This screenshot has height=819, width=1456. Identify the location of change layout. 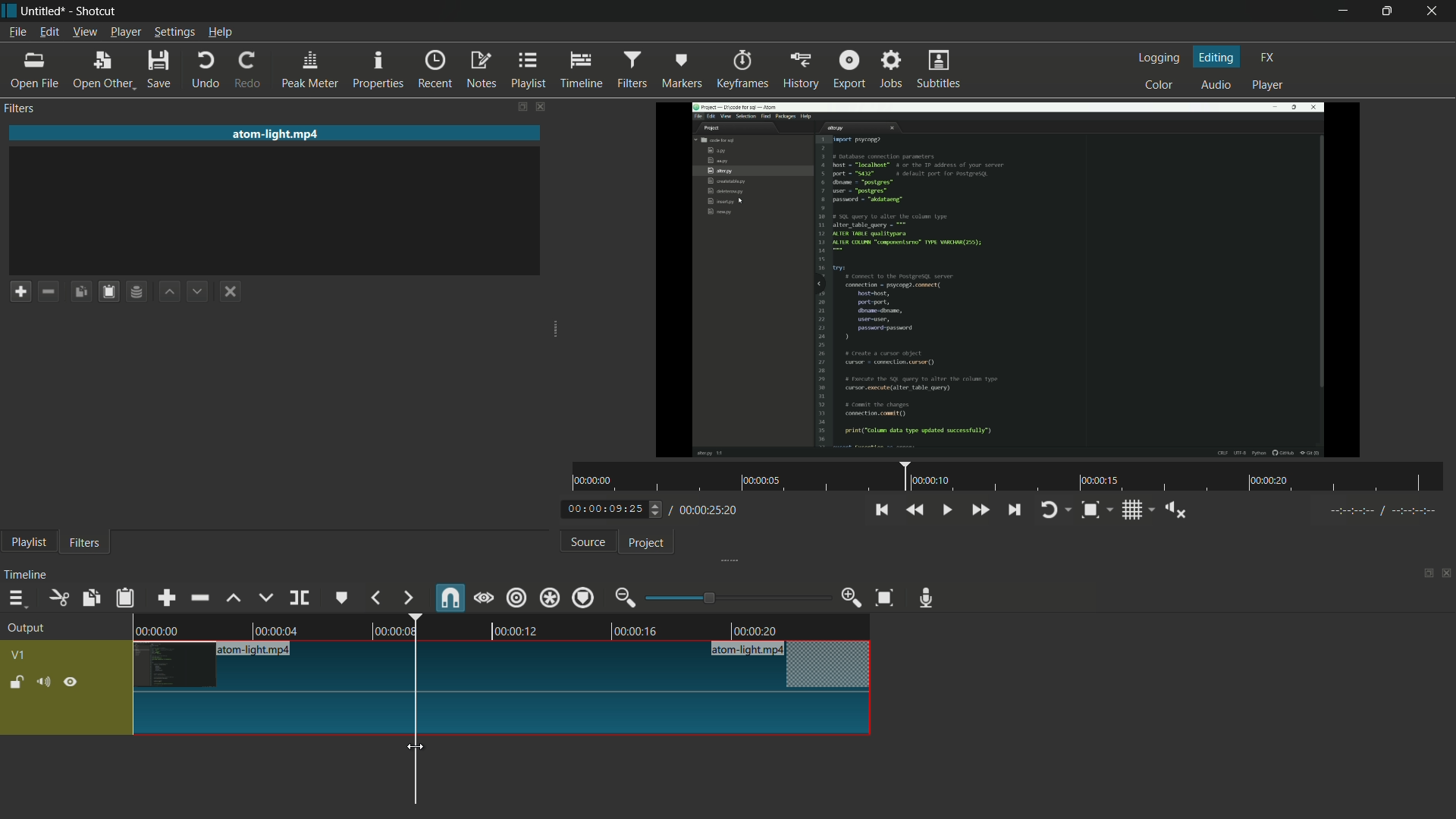
(1423, 572).